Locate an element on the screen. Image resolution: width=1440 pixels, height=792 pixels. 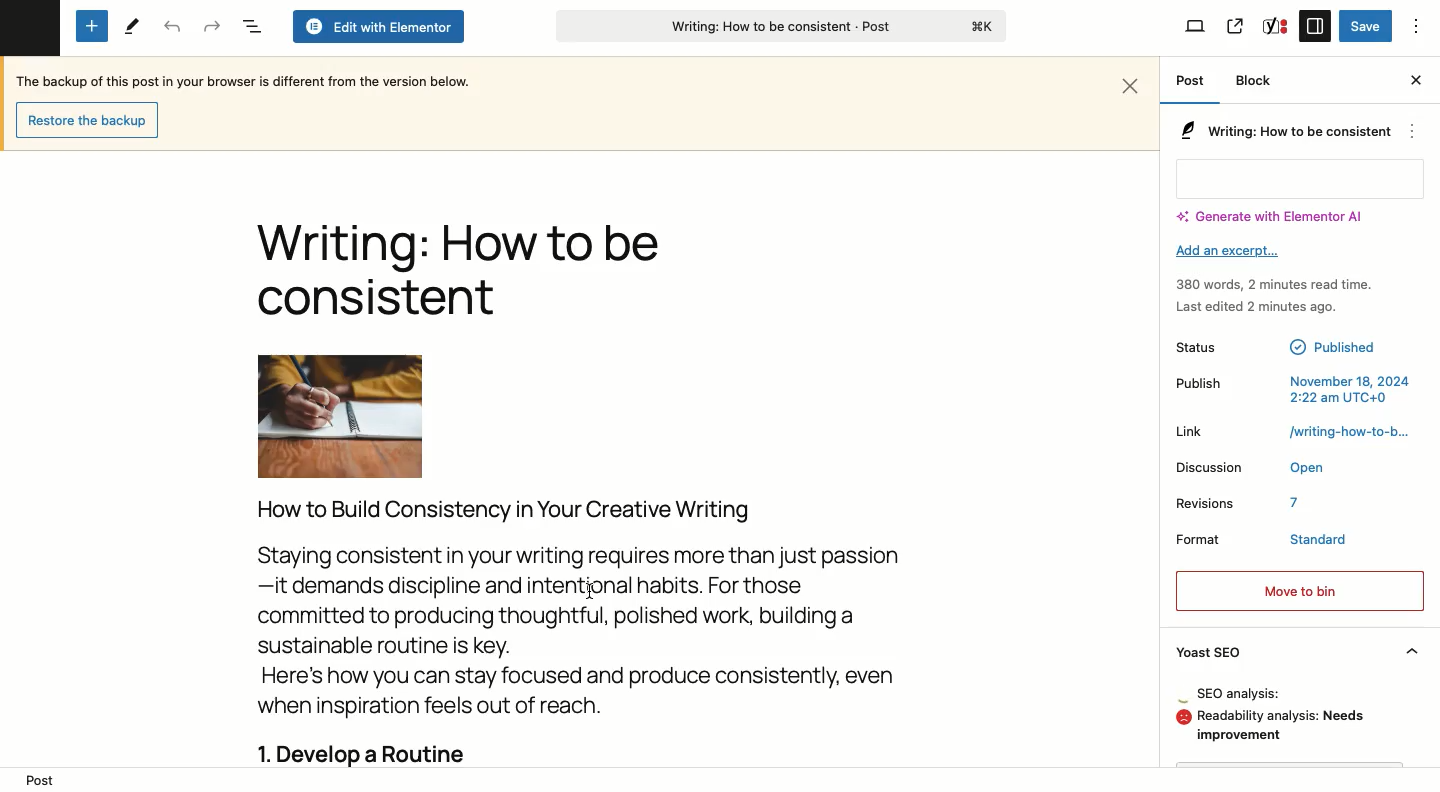
Close is located at coordinates (1132, 83).